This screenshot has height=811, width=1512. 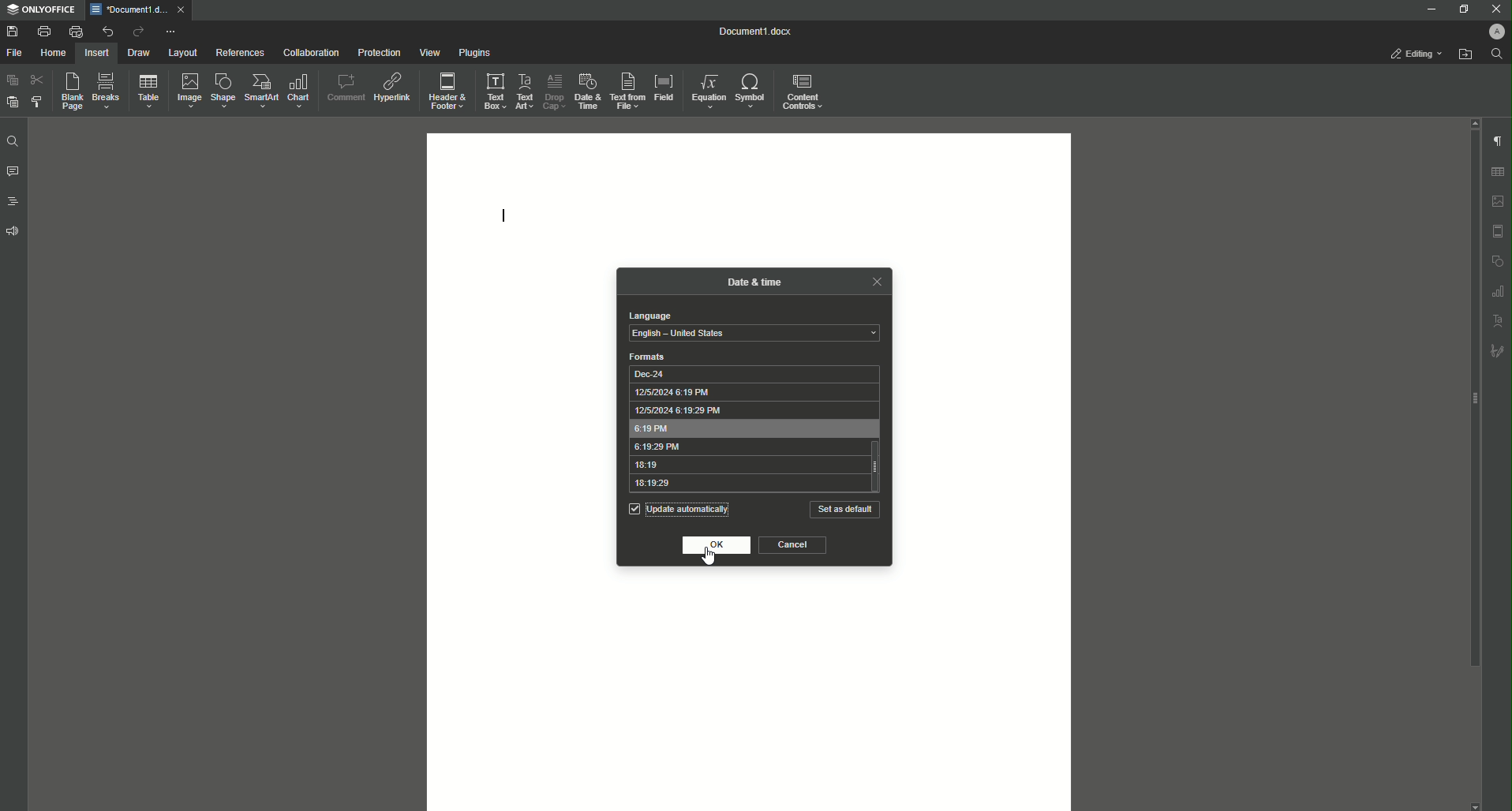 I want to click on table settings, so click(x=1497, y=172).